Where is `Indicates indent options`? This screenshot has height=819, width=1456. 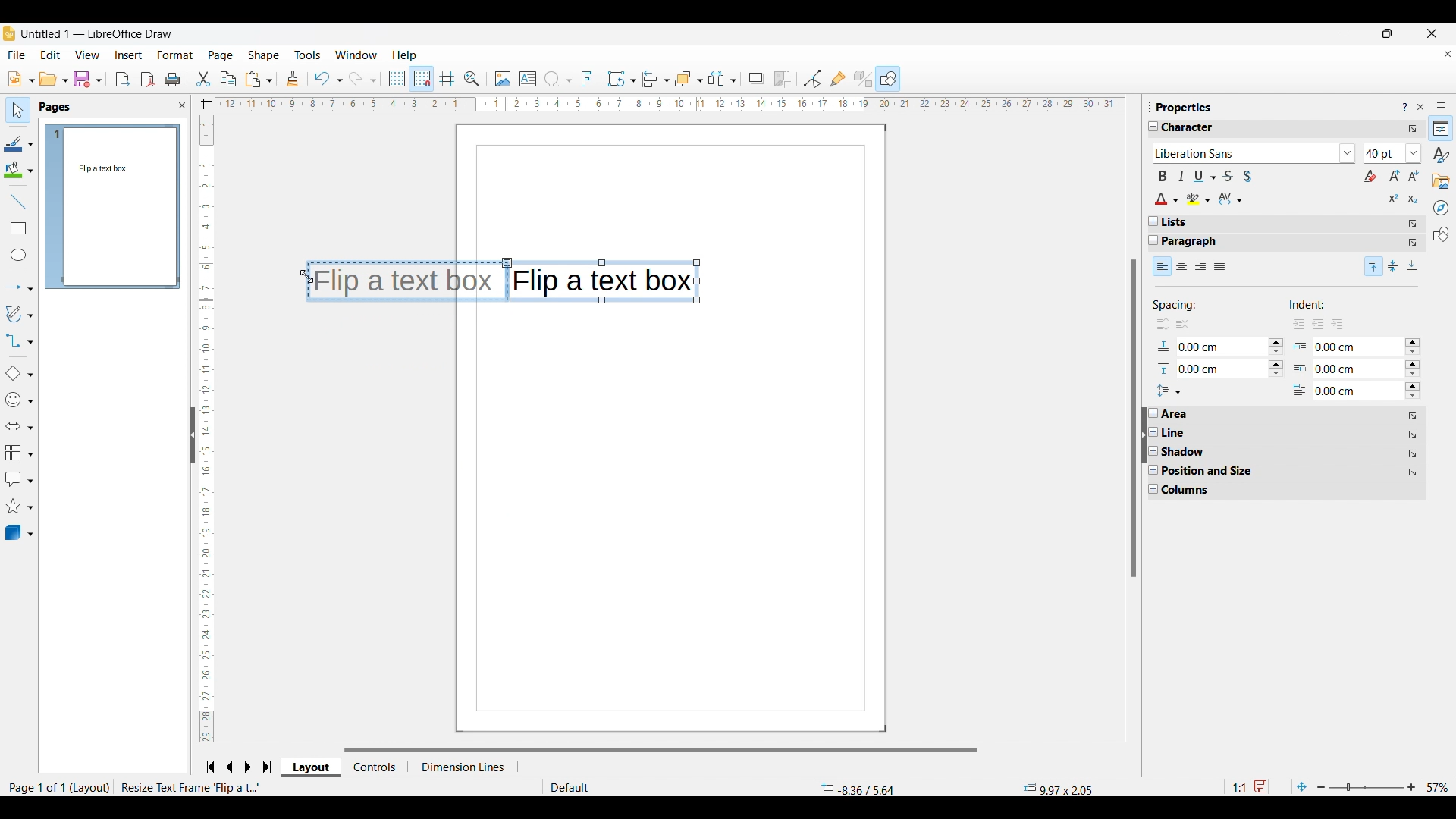
Indicates indent options is located at coordinates (1317, 306).